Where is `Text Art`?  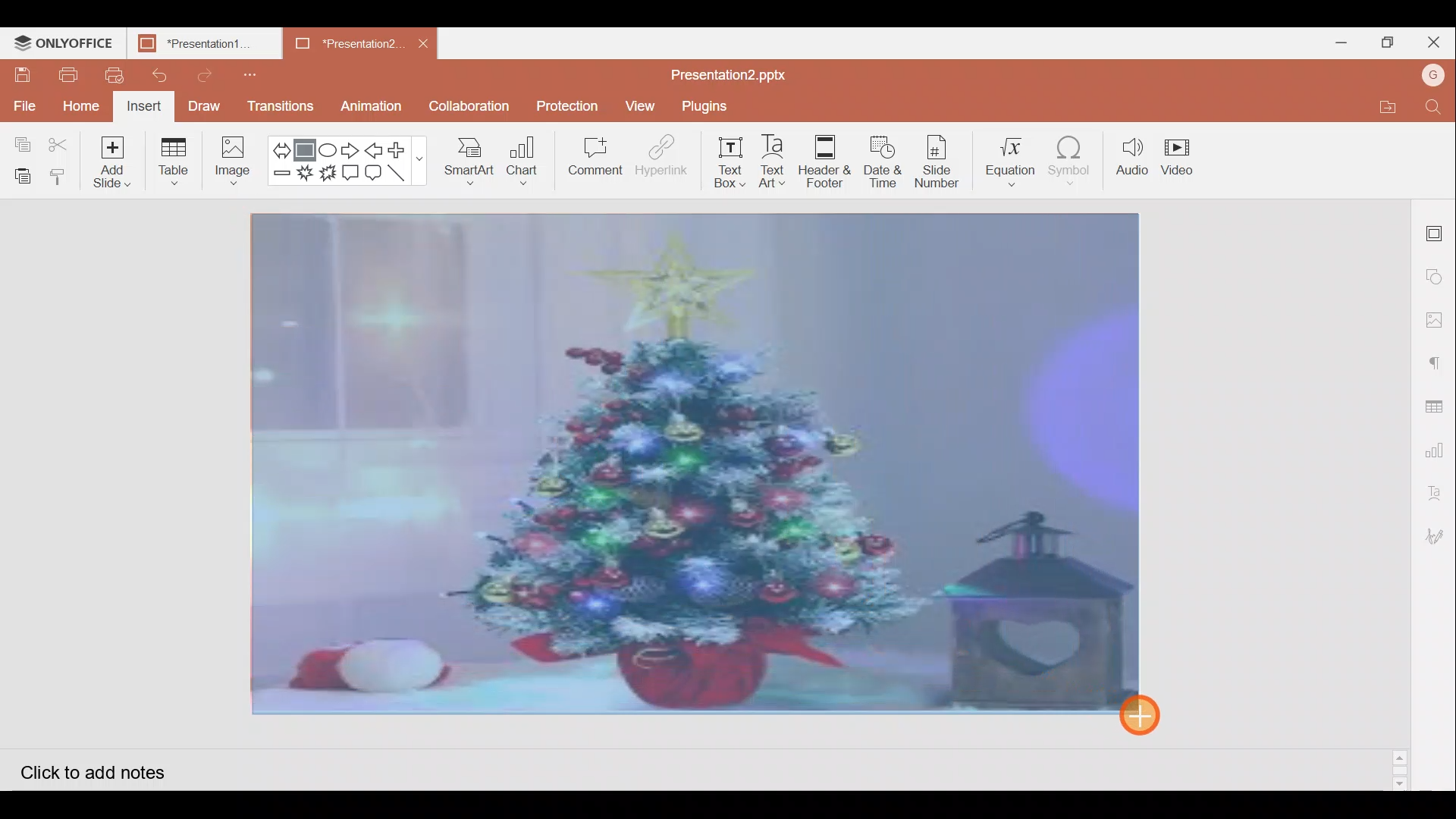
Text Art is located at coordinates (773, 162).